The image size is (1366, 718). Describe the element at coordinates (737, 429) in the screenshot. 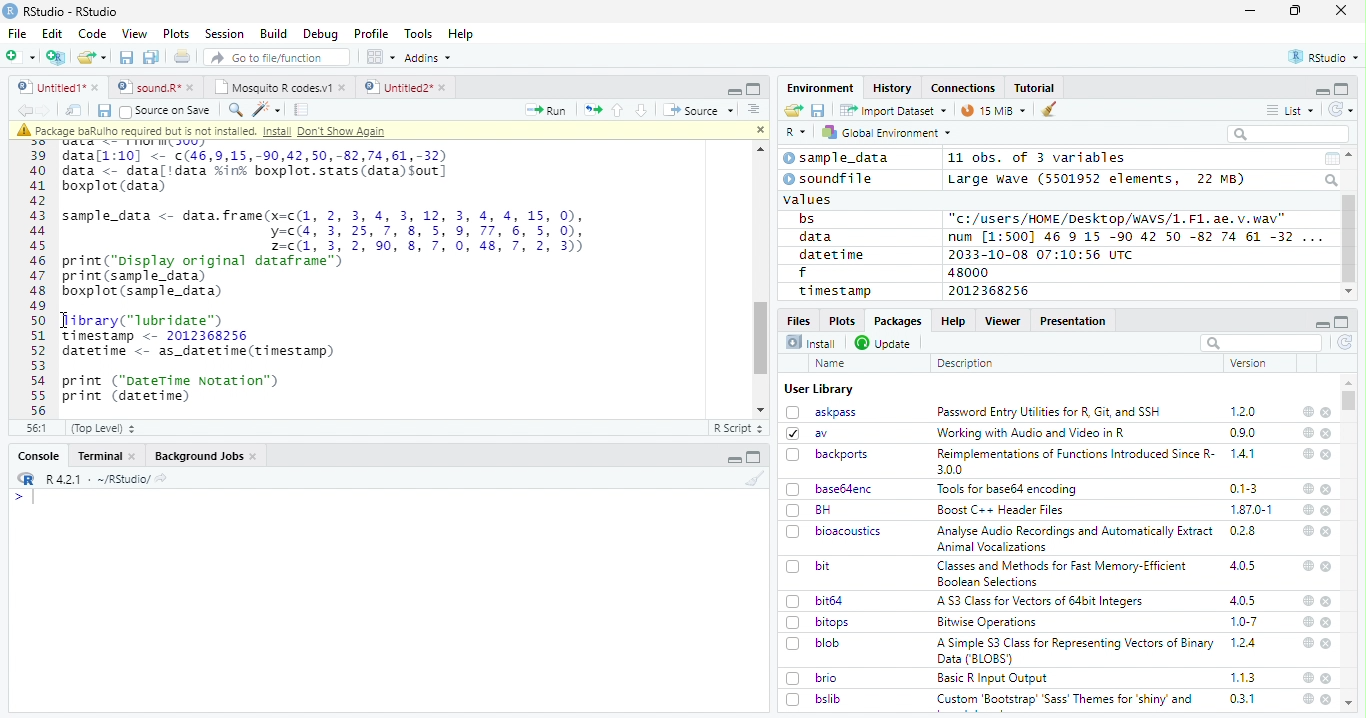

I see `R Script` at that location.